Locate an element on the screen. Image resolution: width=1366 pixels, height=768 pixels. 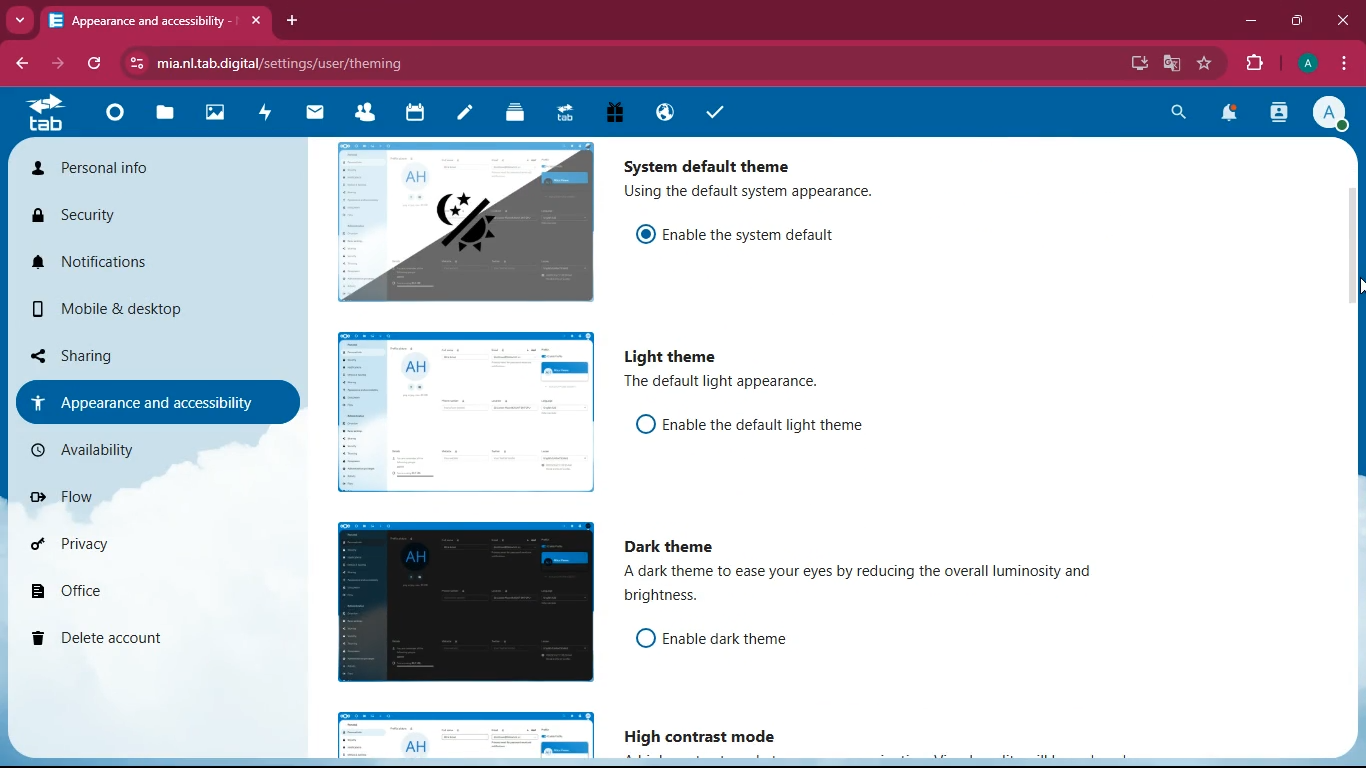
description is located at coordinates (755, 193).